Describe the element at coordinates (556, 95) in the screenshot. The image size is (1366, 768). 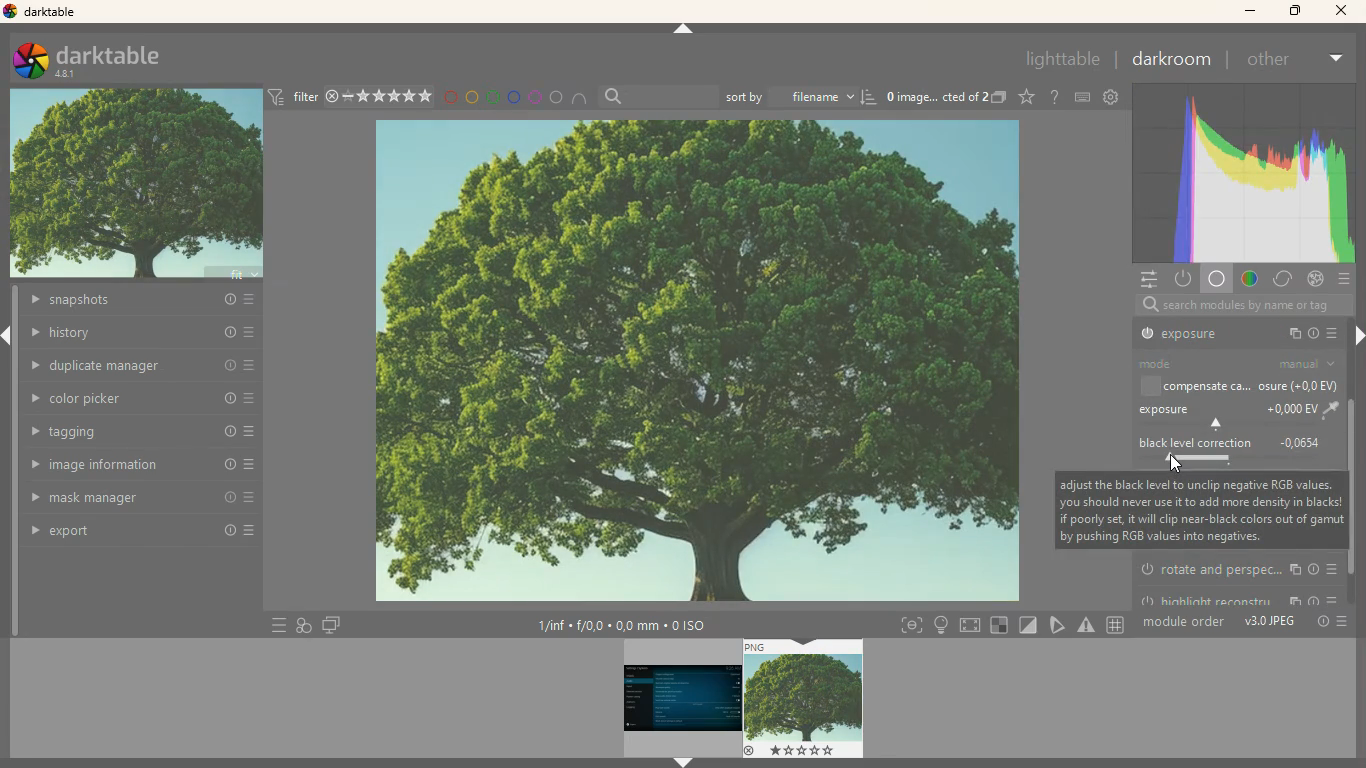
I see `circle` at that location.